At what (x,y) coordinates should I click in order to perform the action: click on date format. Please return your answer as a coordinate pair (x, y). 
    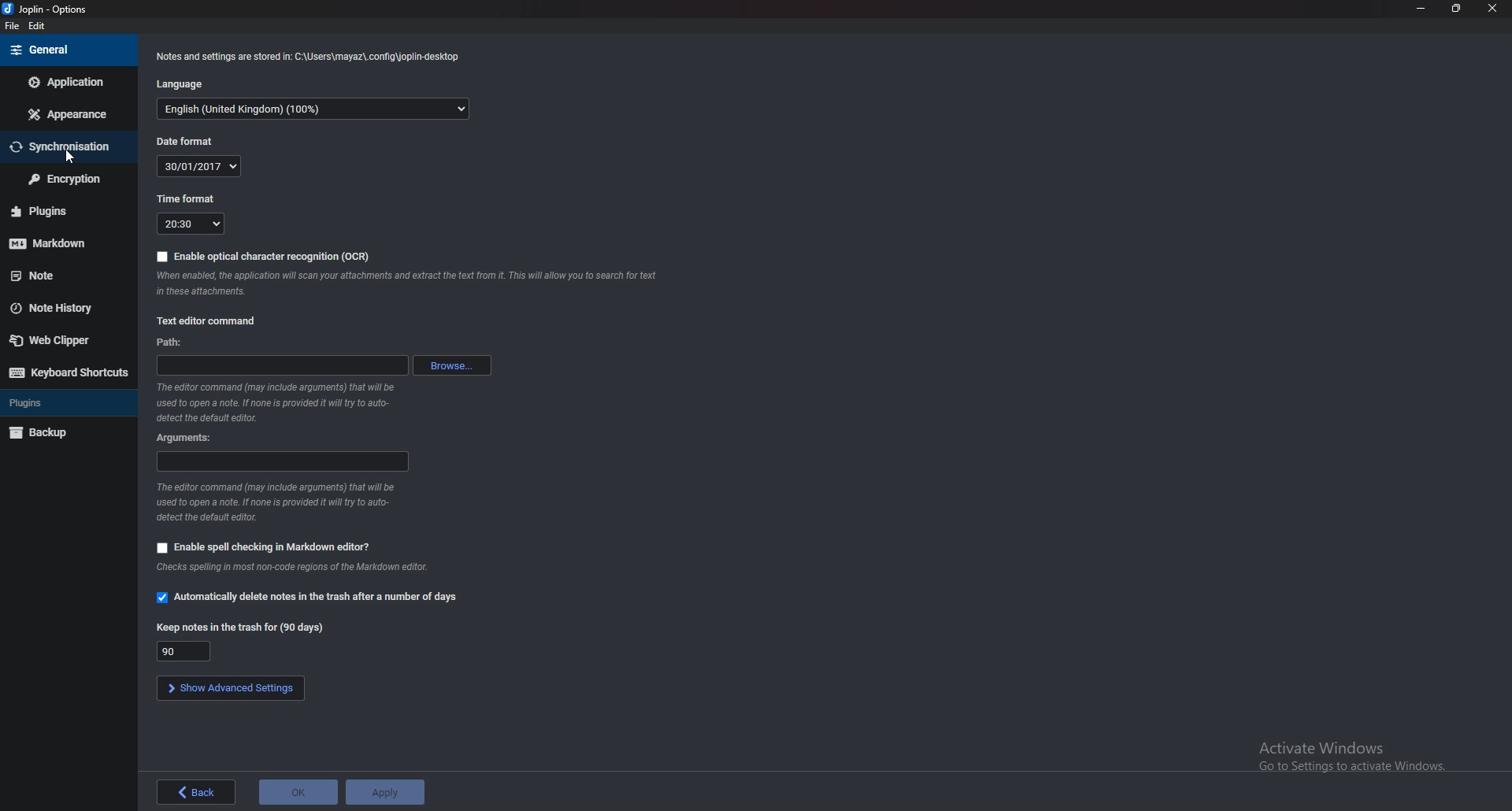
    Looking at the image, I should click on (187, 141).